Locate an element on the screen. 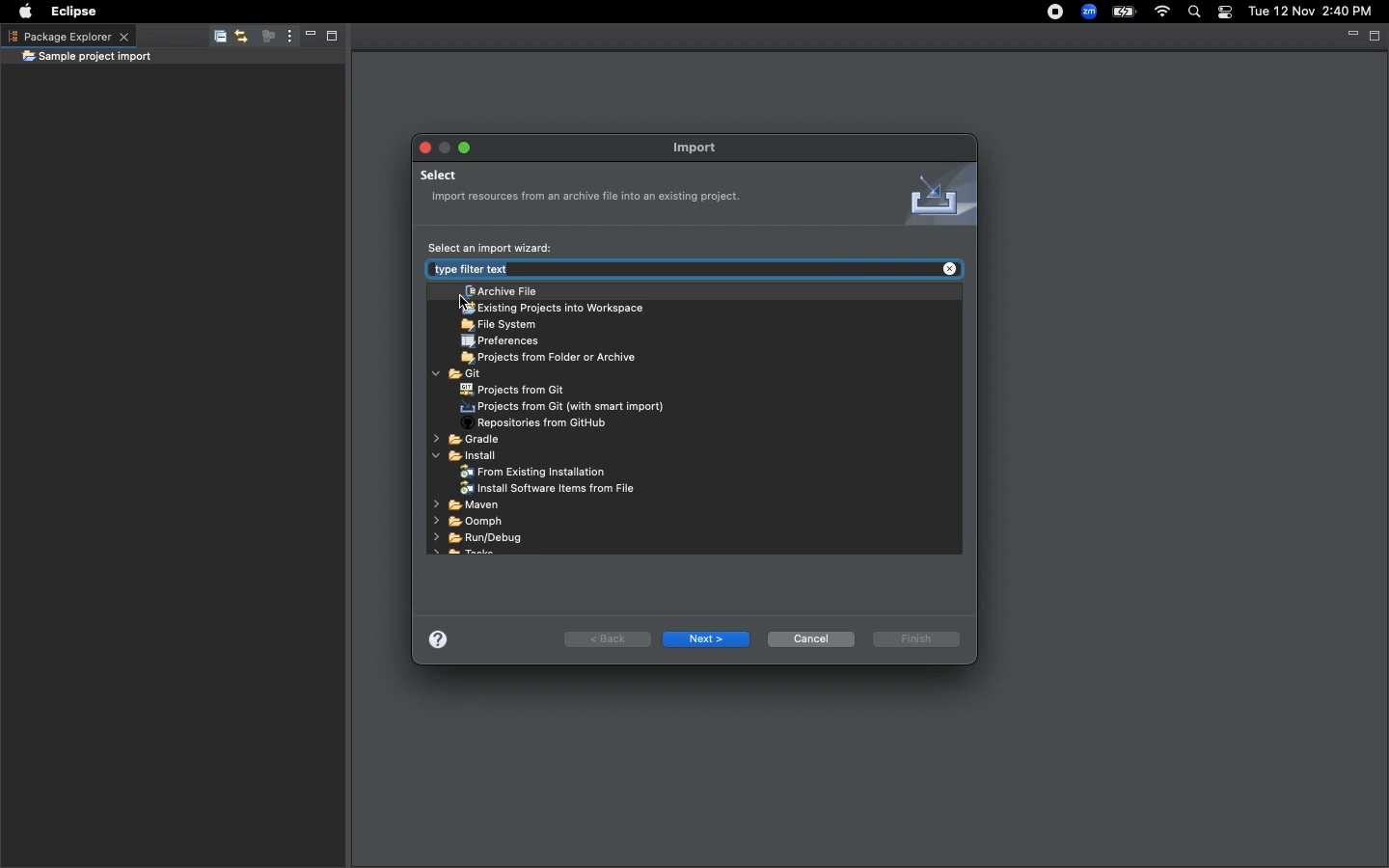 The height and width of the screenshot is (868, 1389). Take is located at coordinates (466, 556).